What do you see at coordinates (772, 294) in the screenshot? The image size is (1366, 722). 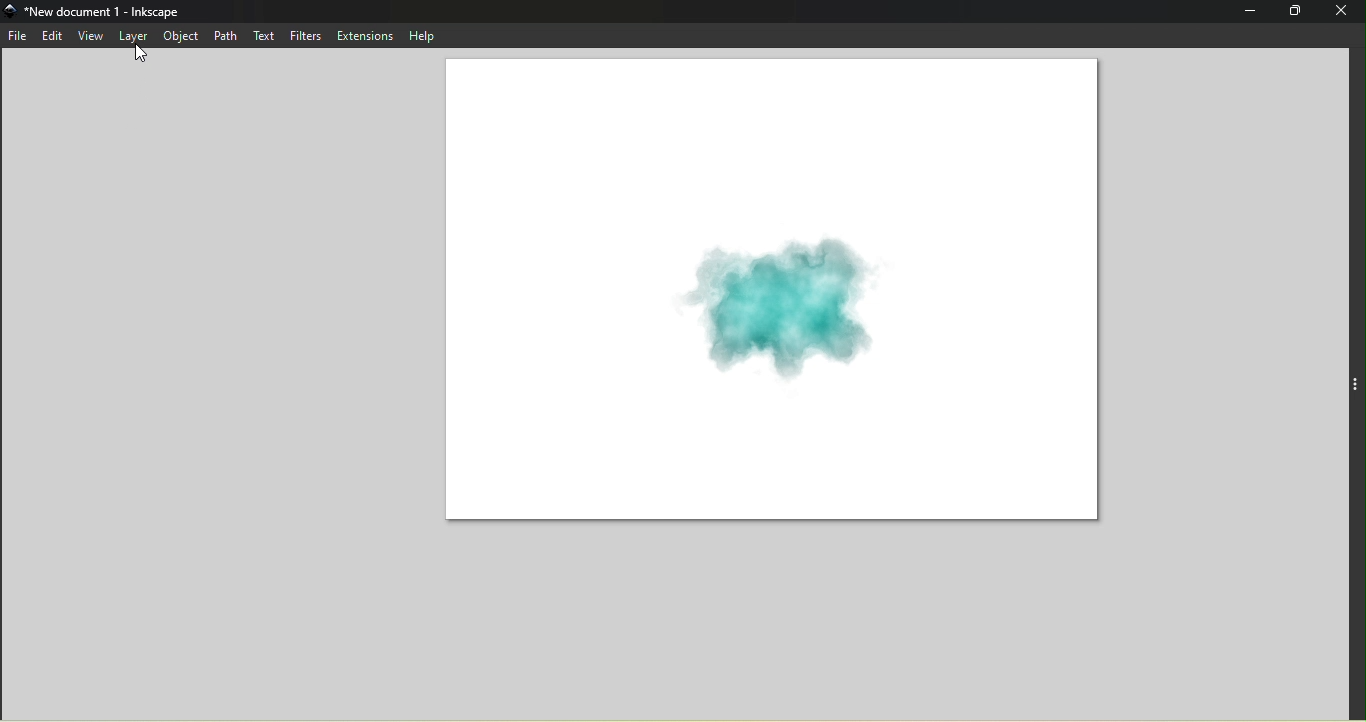 I see `Canvas showing some shape` at bounding box center [772, 294].